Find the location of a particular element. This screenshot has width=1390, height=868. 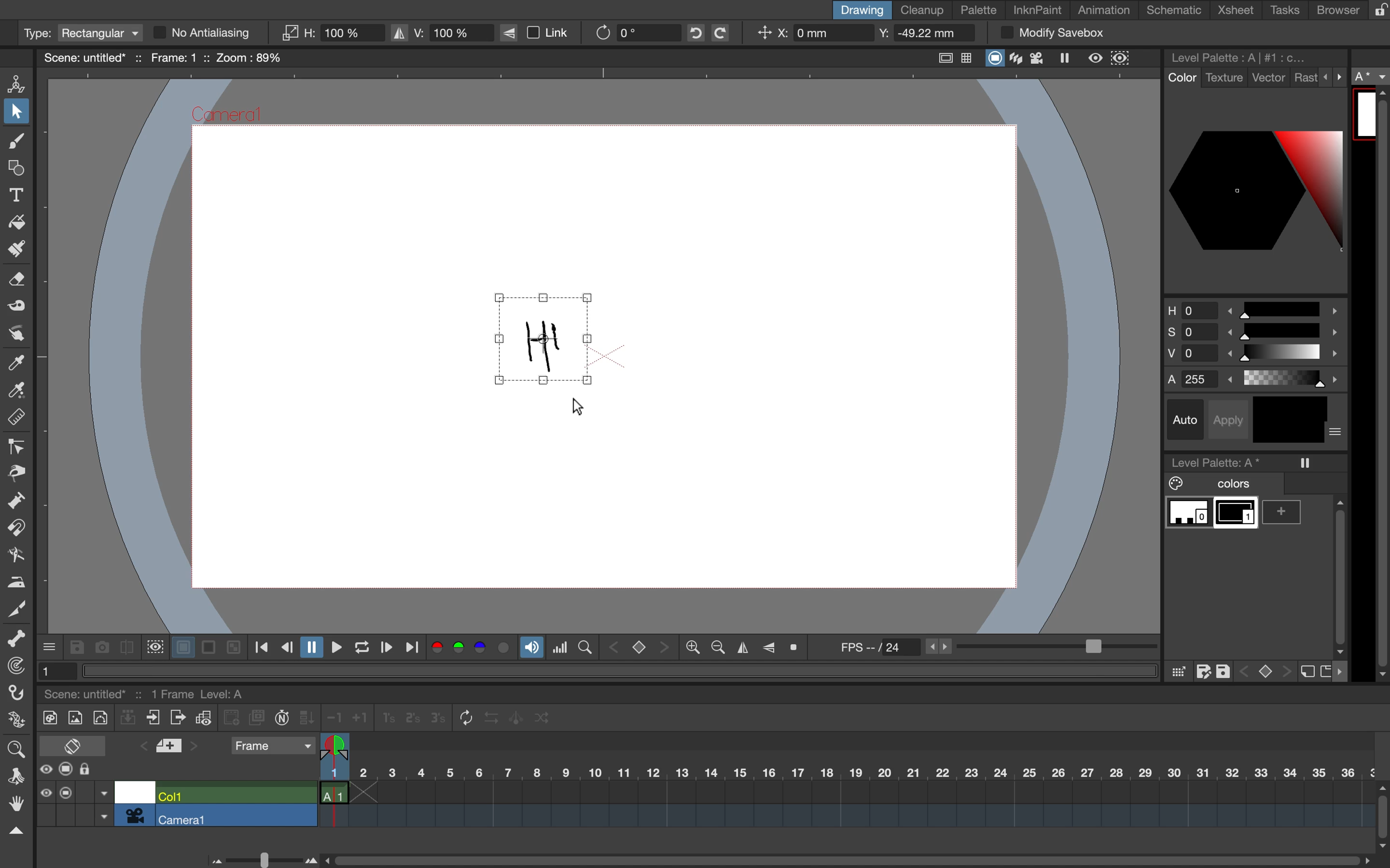

toggle x sheet timeline is located at coordinates (72, 745).